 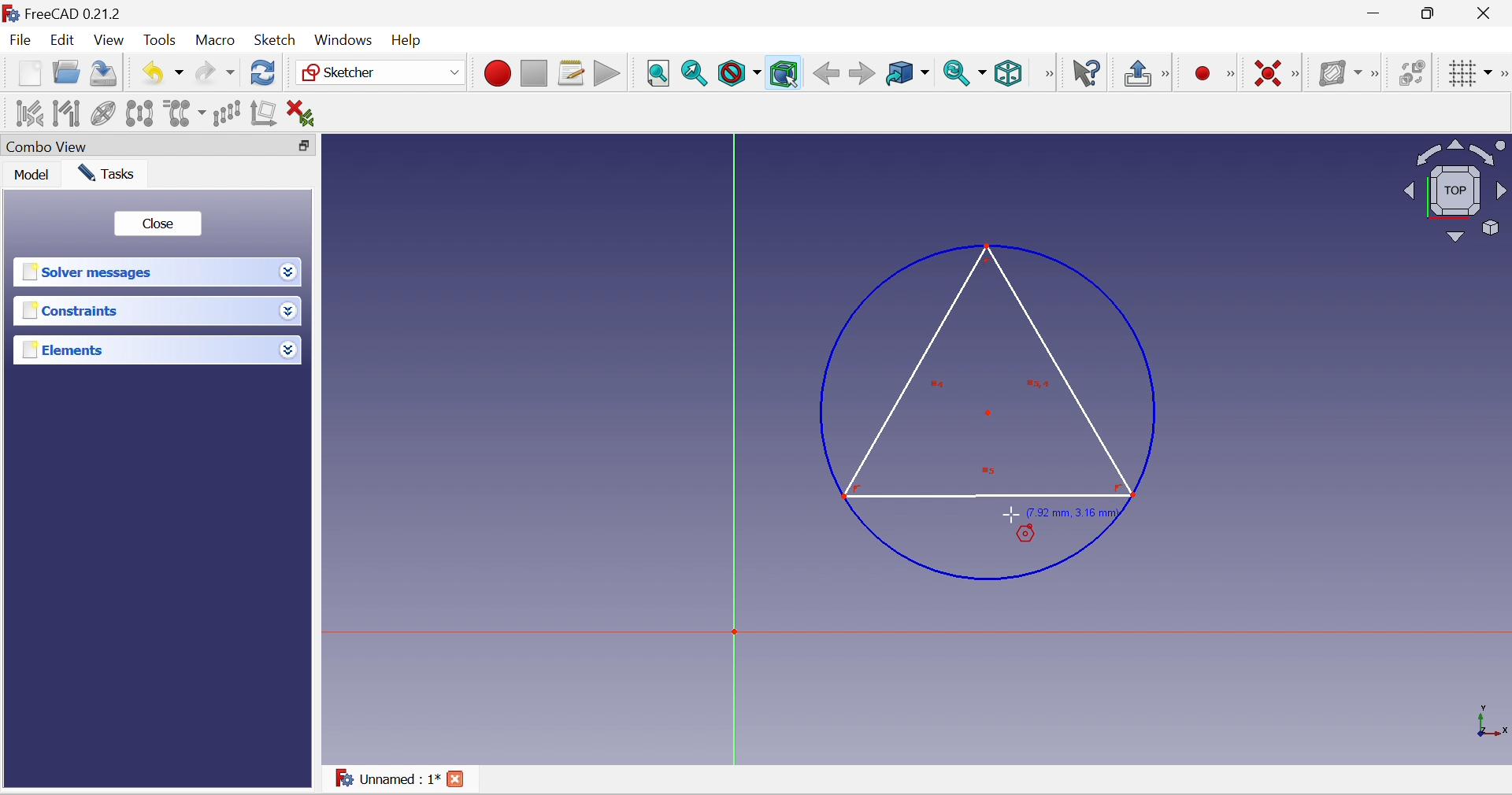 I want to click on Restore down, so click(x=306, y=148).